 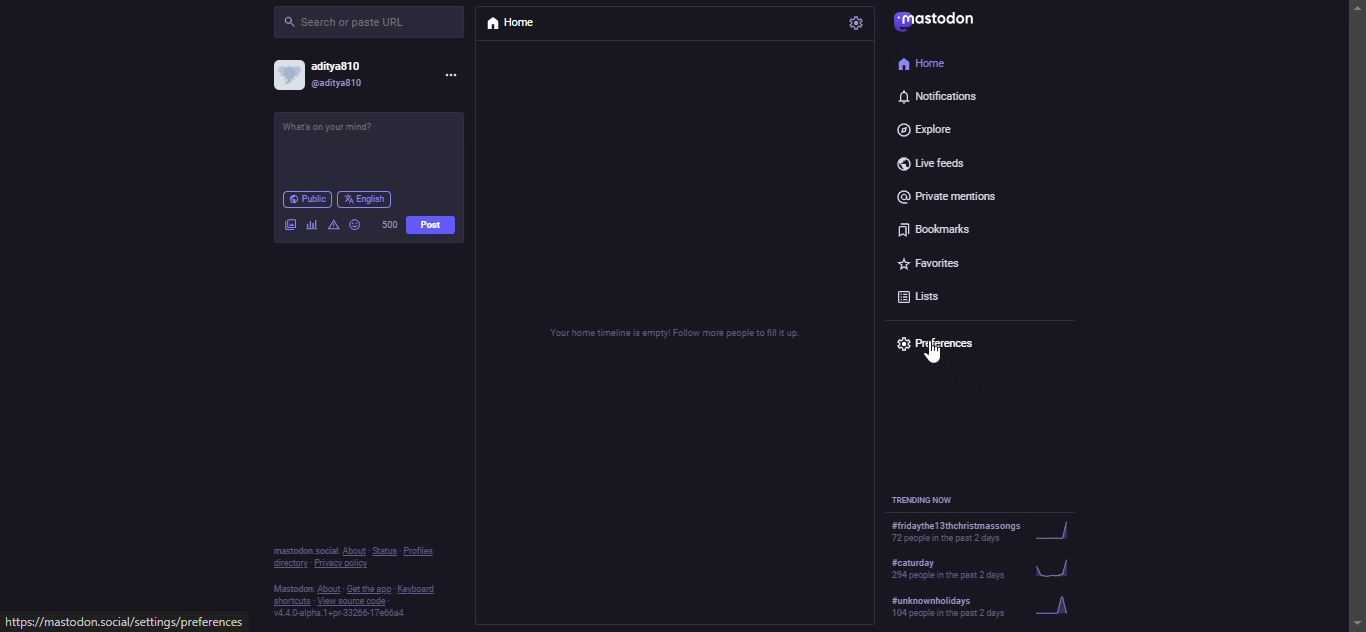 I want to click on trending, so click(x=928, y=496).